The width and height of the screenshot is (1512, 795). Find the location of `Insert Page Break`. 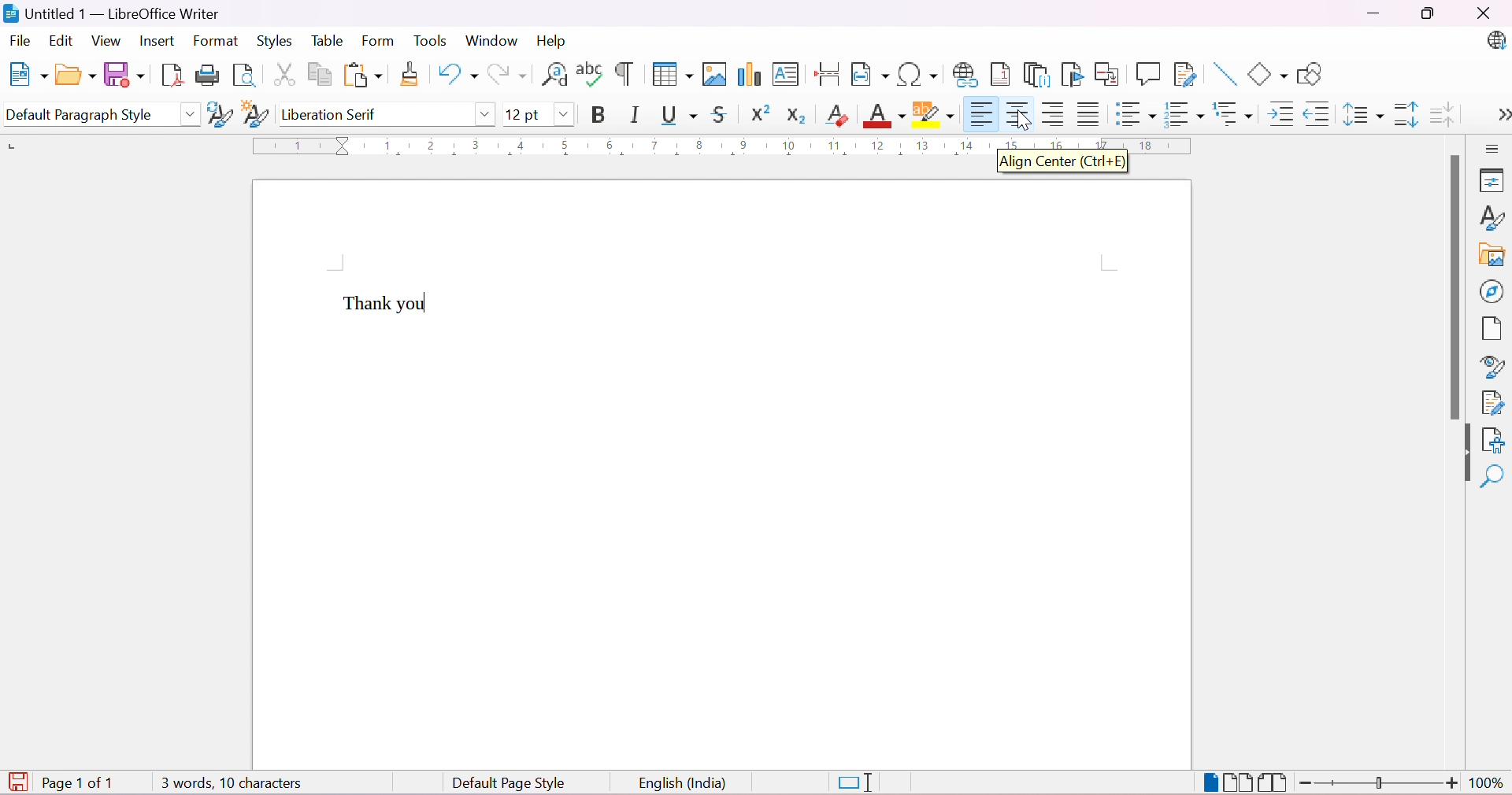

Insert Page Break is located at coordinates (828, 76).